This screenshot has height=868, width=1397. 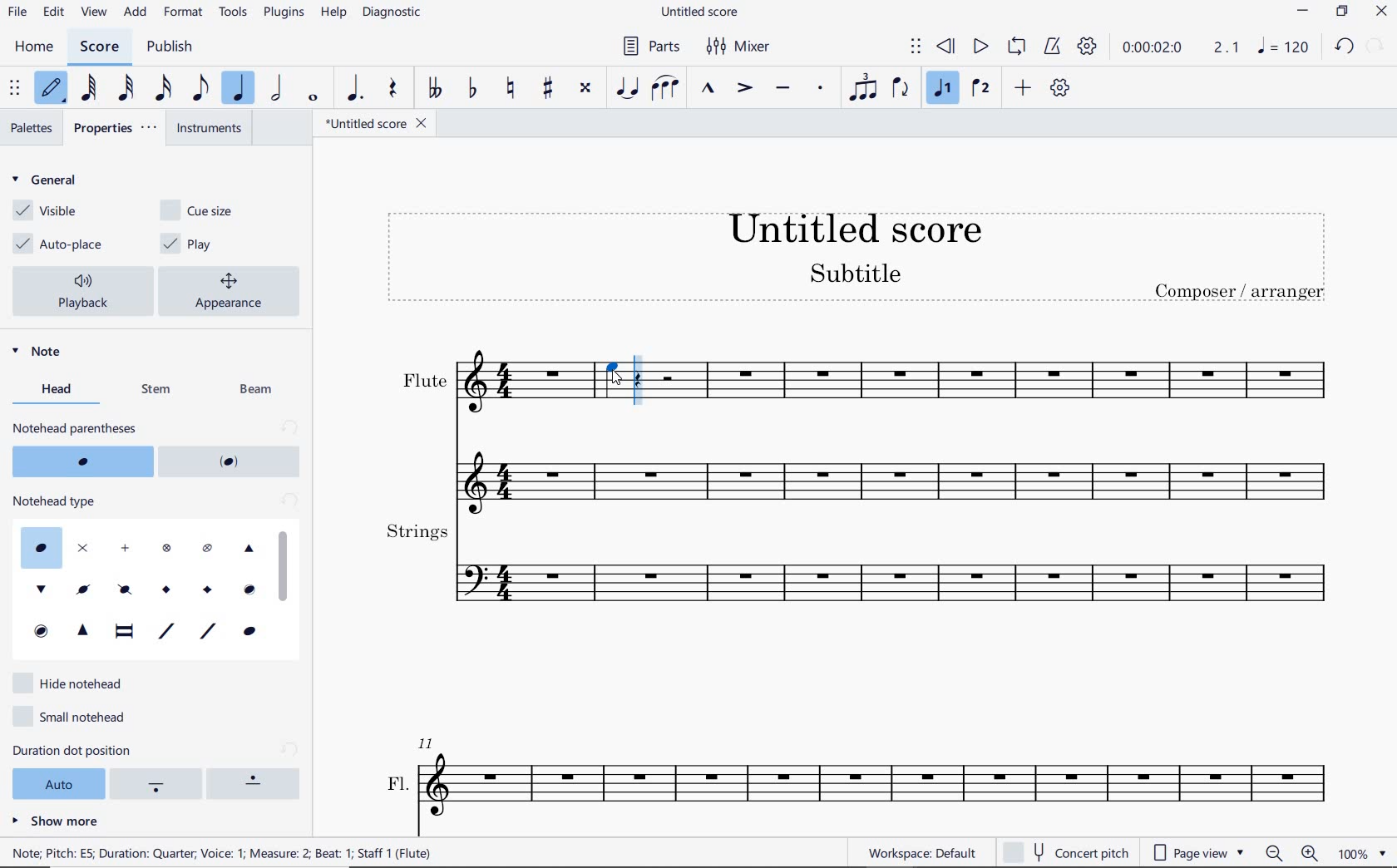 What do you see at coordinates (901, 90) in the screenshot?
I see `FLIP DIRECTION` at bounding box center [901, 90].